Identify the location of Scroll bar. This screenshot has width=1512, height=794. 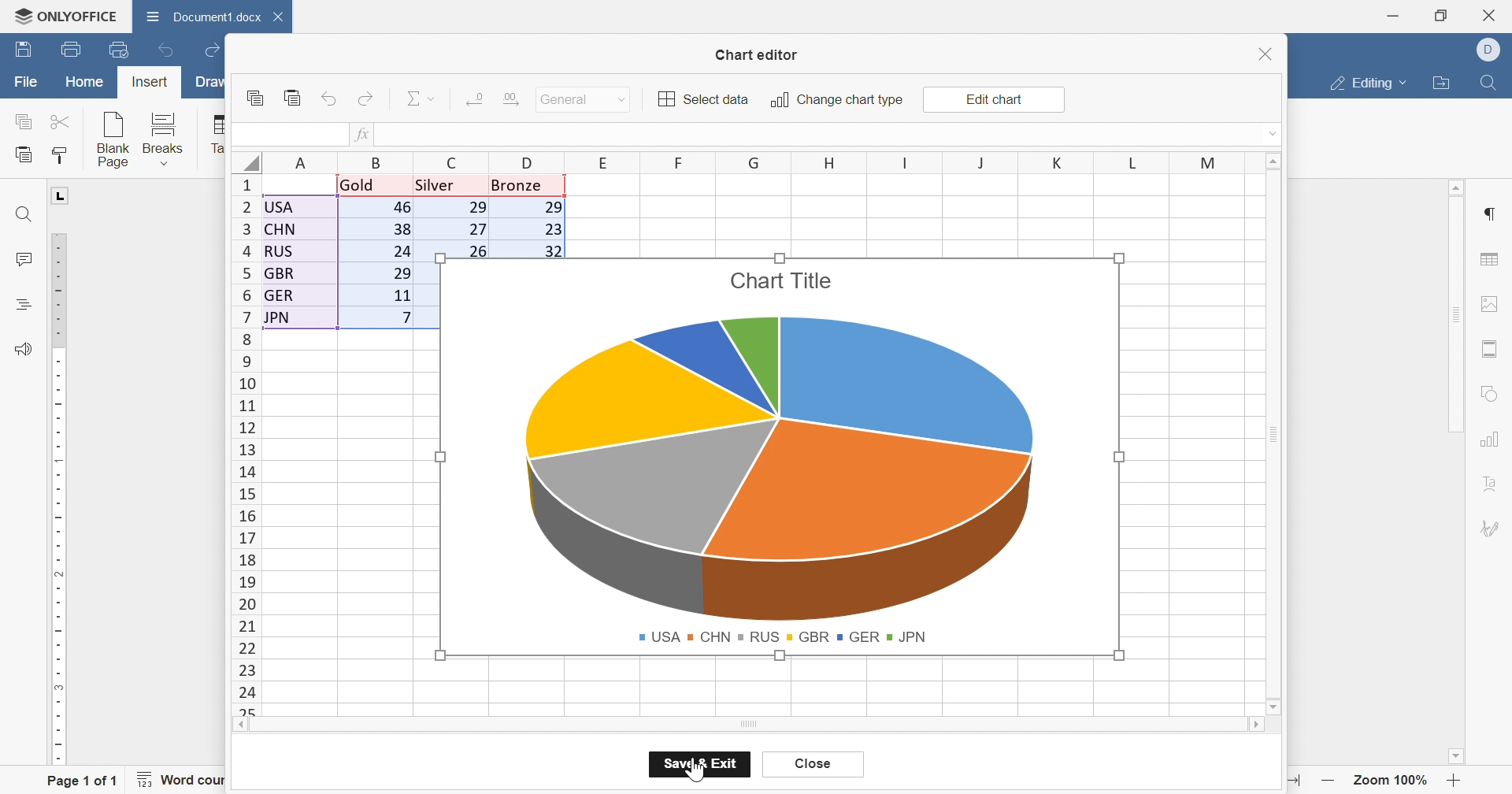
(1255, 728).